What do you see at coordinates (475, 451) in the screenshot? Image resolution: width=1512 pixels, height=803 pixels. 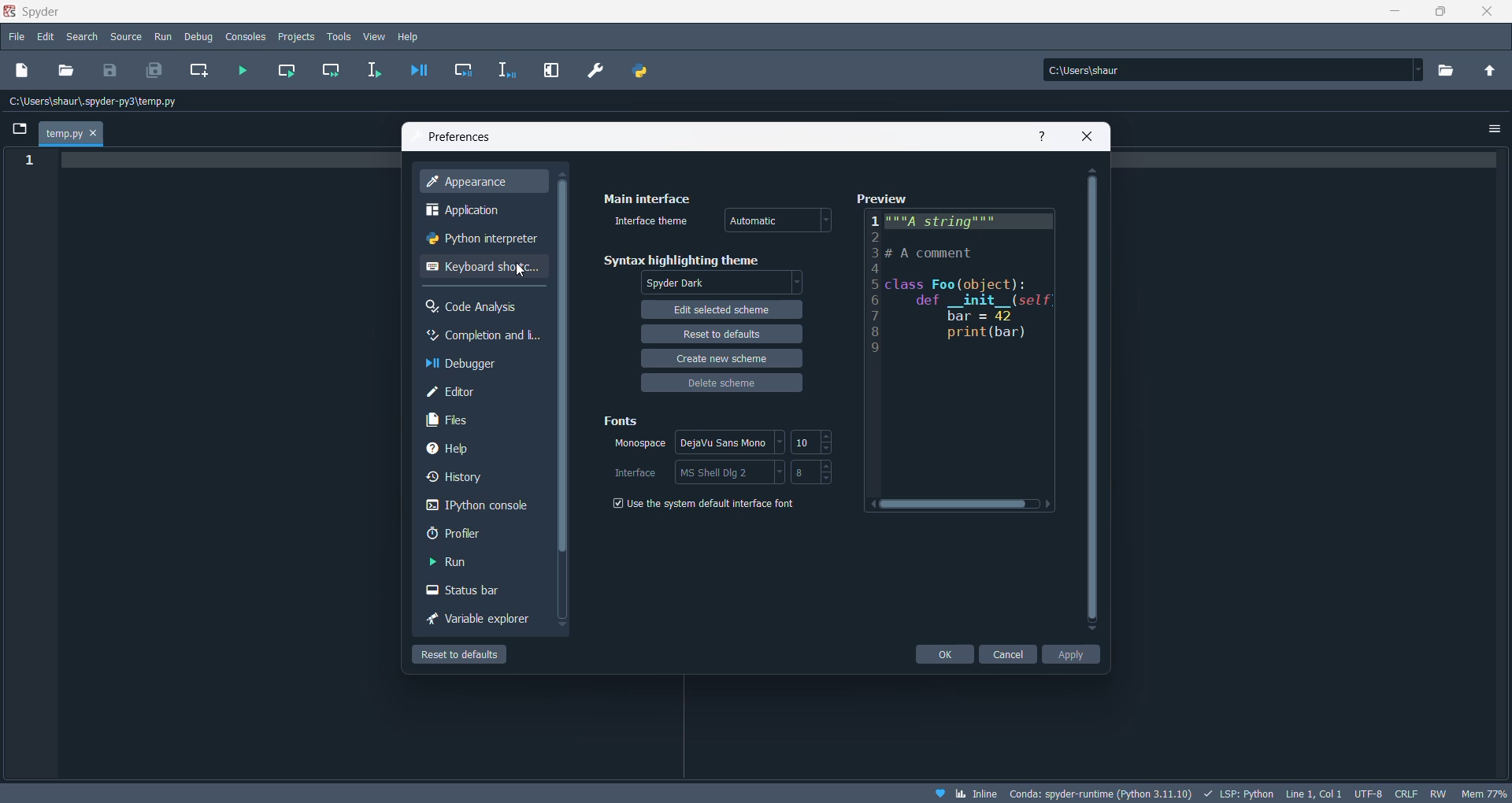 I see `help` at bounding box center [475, 451].